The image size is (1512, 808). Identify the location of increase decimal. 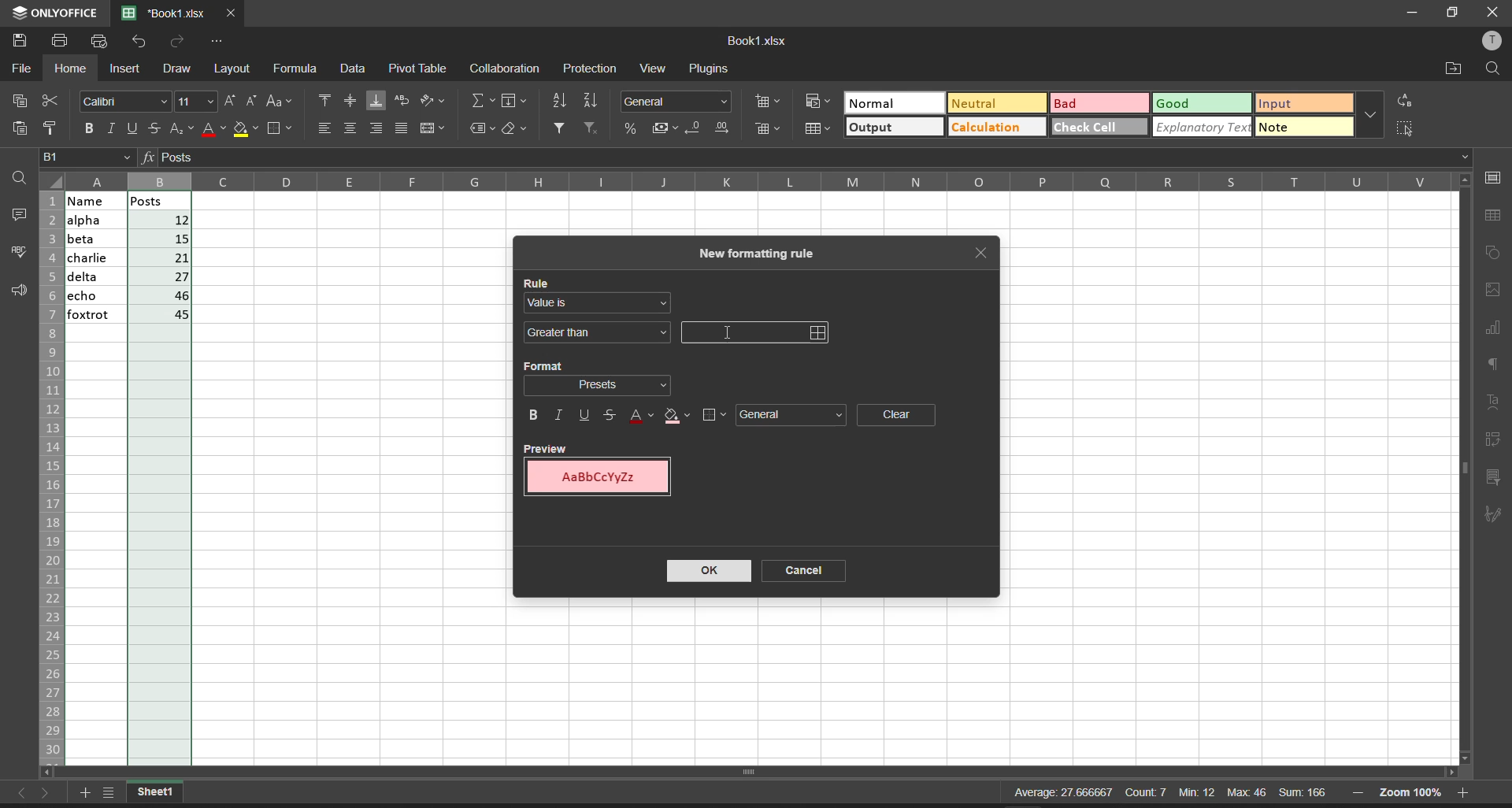
(721, 128).